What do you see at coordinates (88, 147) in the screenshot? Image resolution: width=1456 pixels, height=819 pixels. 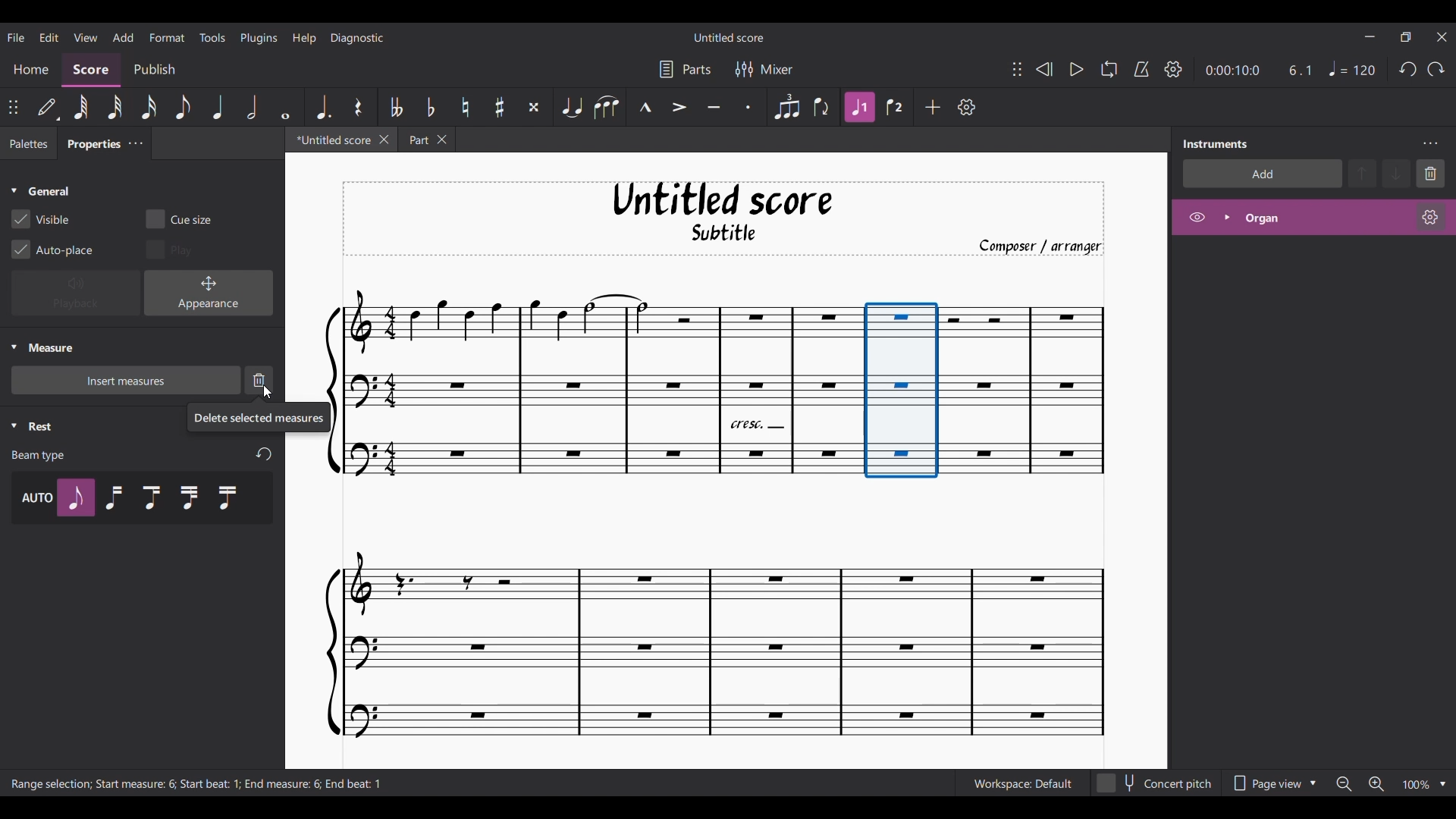 I see `properties` at bounding box center [88, 147].